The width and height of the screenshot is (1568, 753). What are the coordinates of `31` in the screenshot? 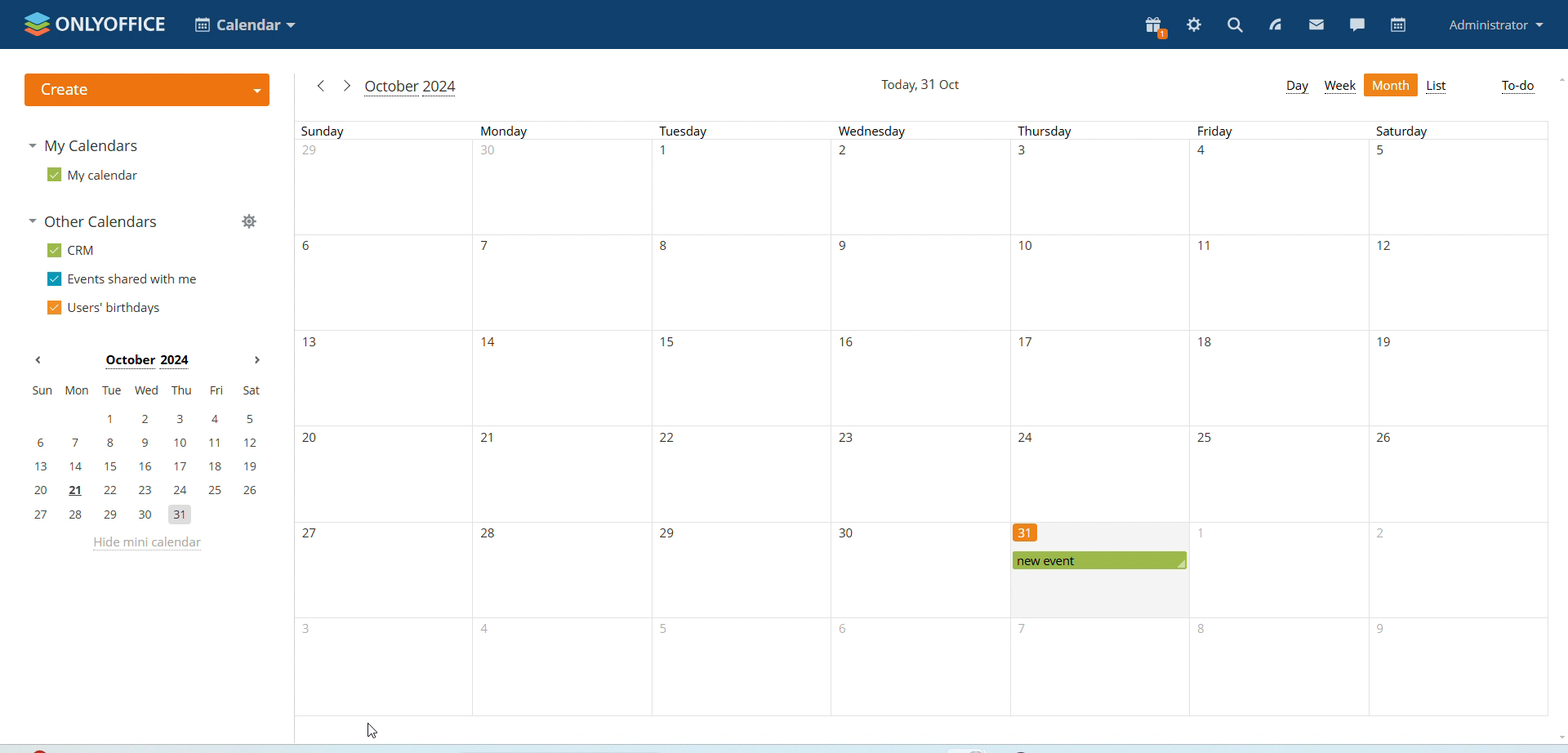 It's located at (1031, 532).